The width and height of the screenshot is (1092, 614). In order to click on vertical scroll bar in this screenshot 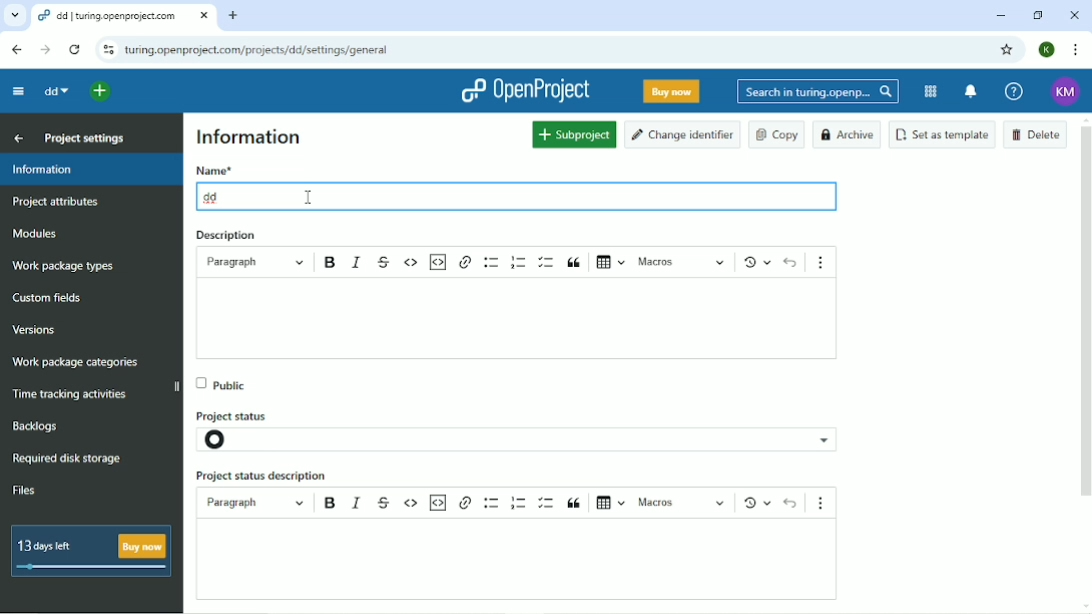, I will do `click(1089, 314)`.